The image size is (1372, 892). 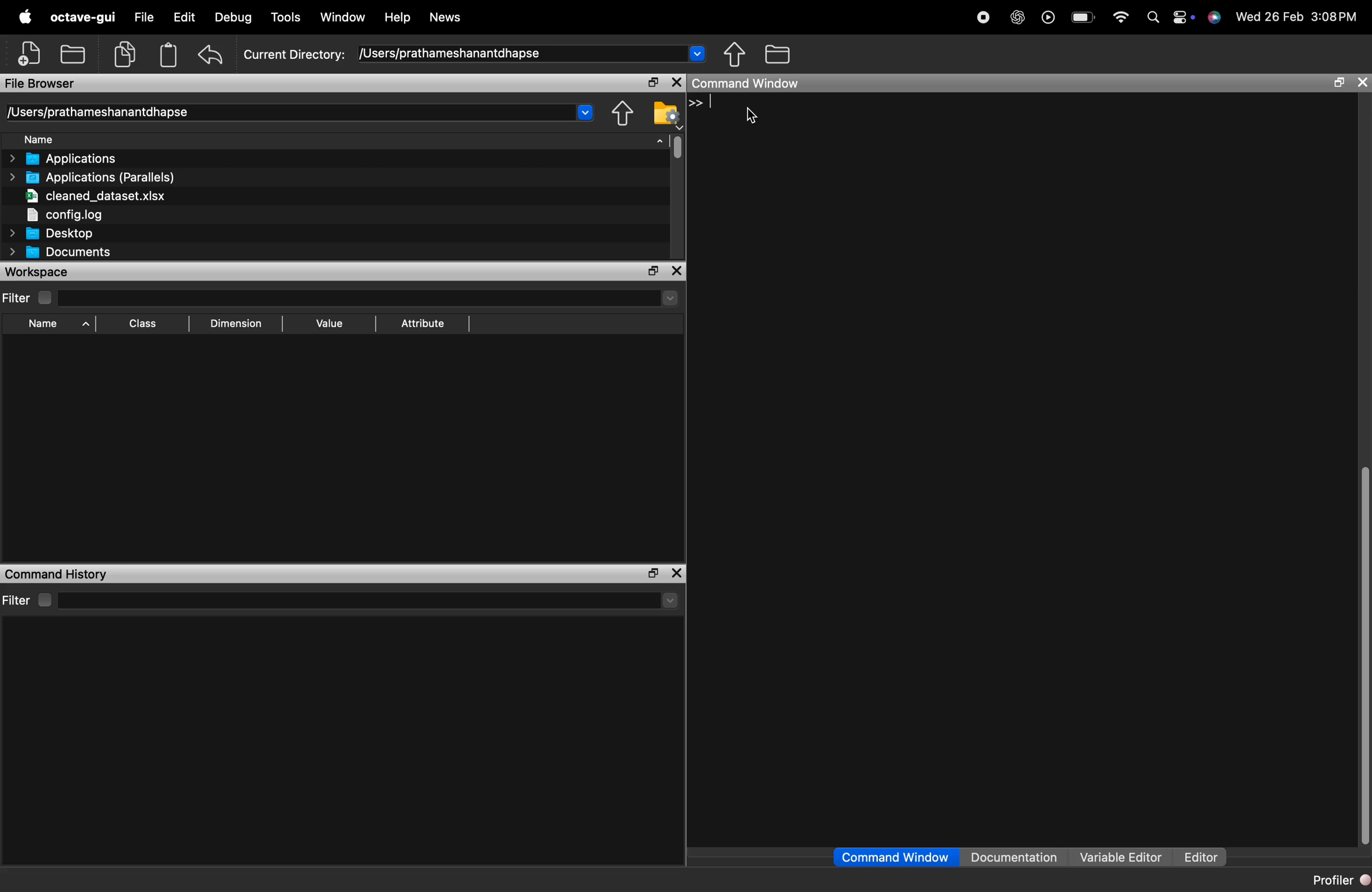 What do you see at coordinates (108, 138) in the screenshot?
I see `Name` at bounding box center [108, 138].